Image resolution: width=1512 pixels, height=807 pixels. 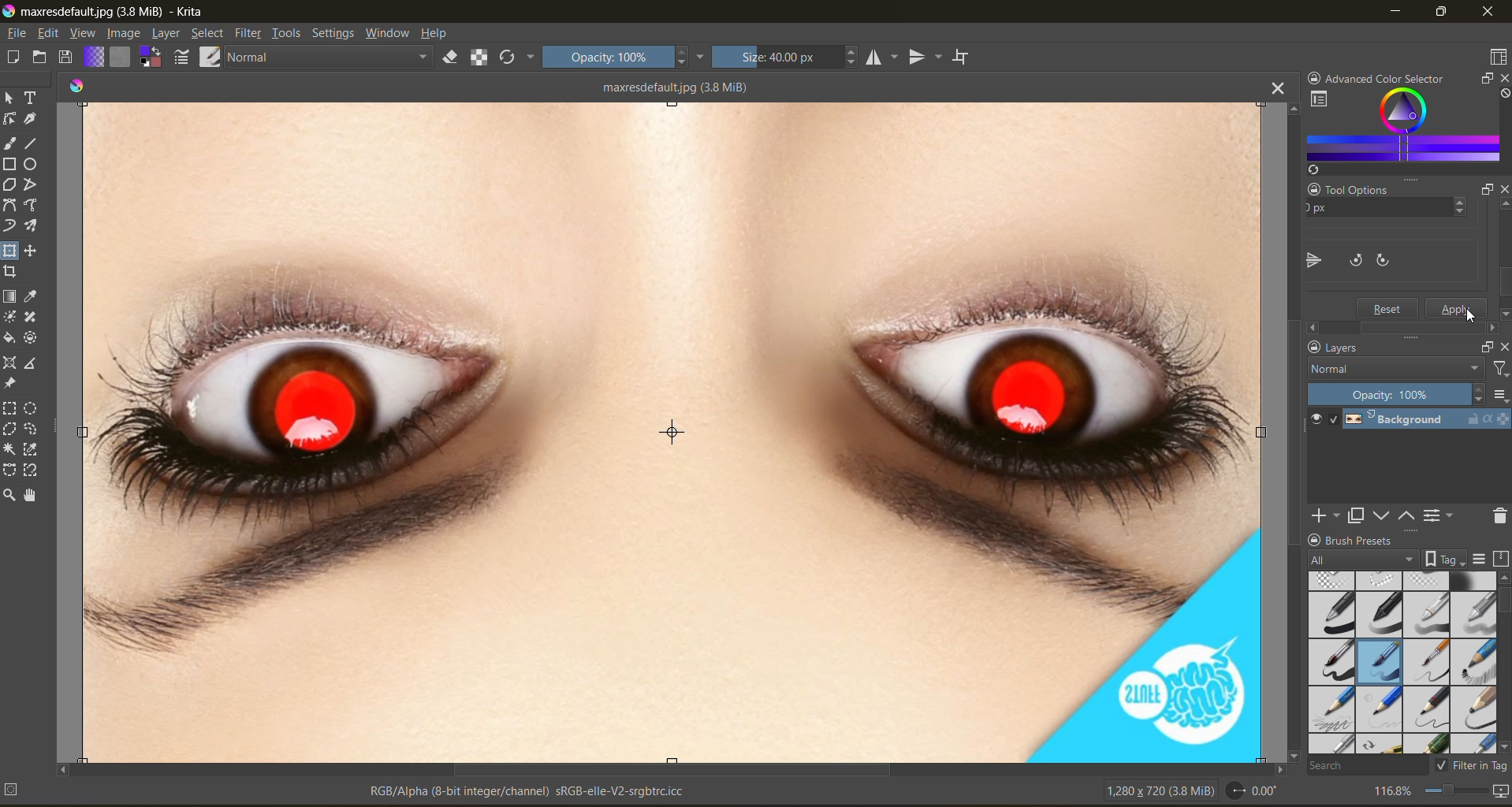 I want to click on create, so click(x=14, y=58).